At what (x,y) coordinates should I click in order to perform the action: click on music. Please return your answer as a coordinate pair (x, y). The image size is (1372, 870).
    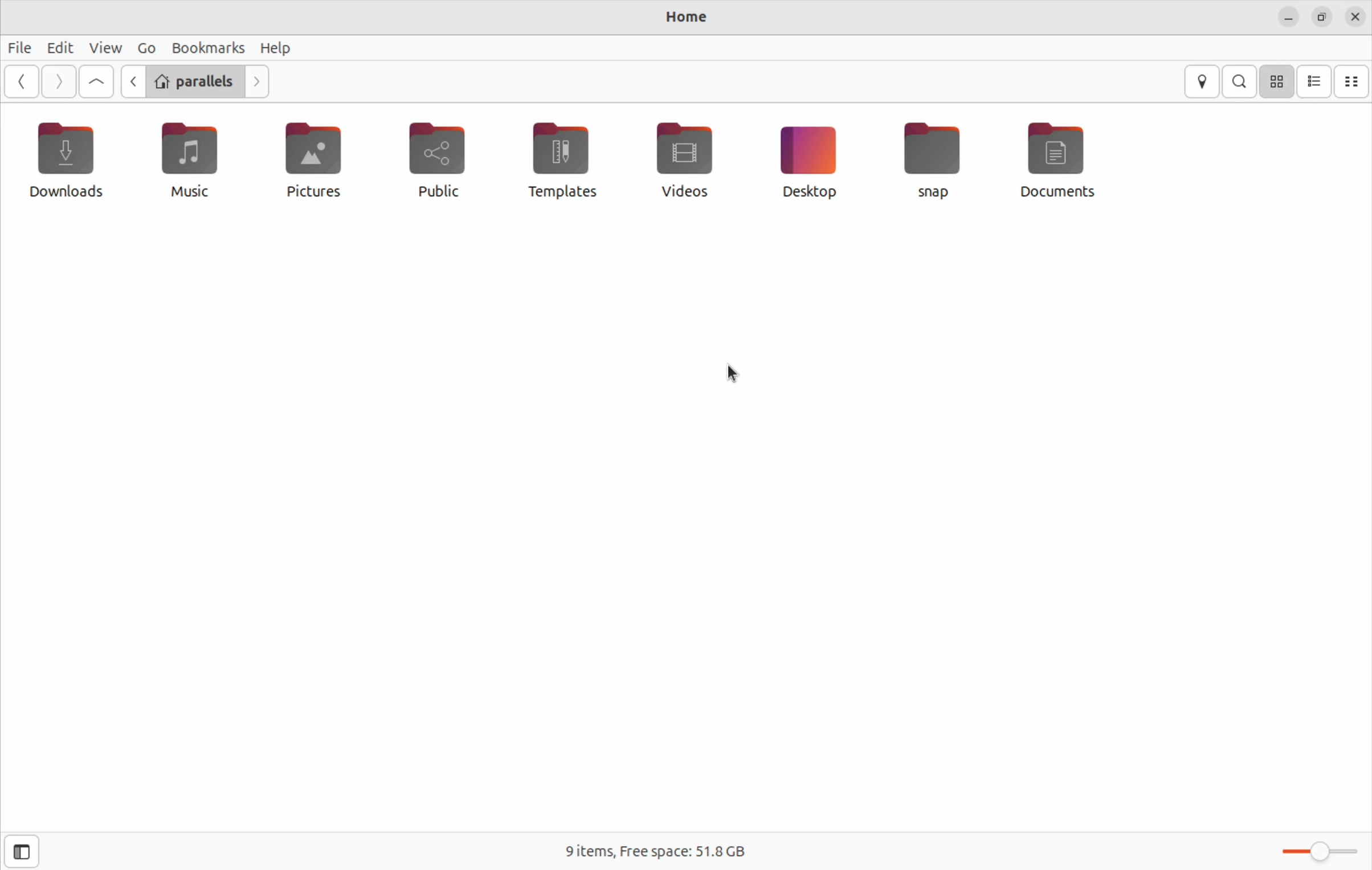
    Looking at the image, I should click on (194, 158).